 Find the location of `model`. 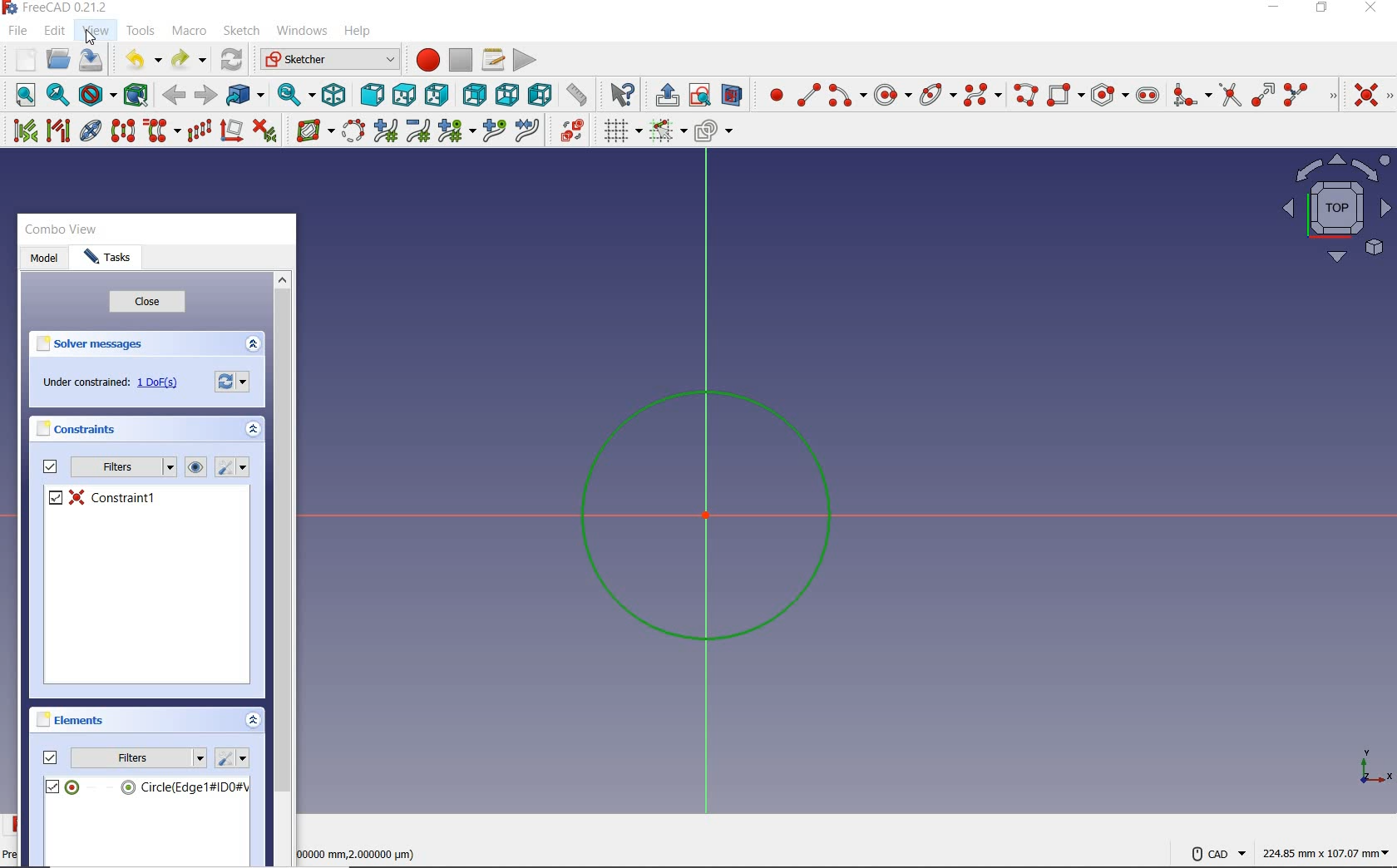

model is located at coordinates (43, 259).